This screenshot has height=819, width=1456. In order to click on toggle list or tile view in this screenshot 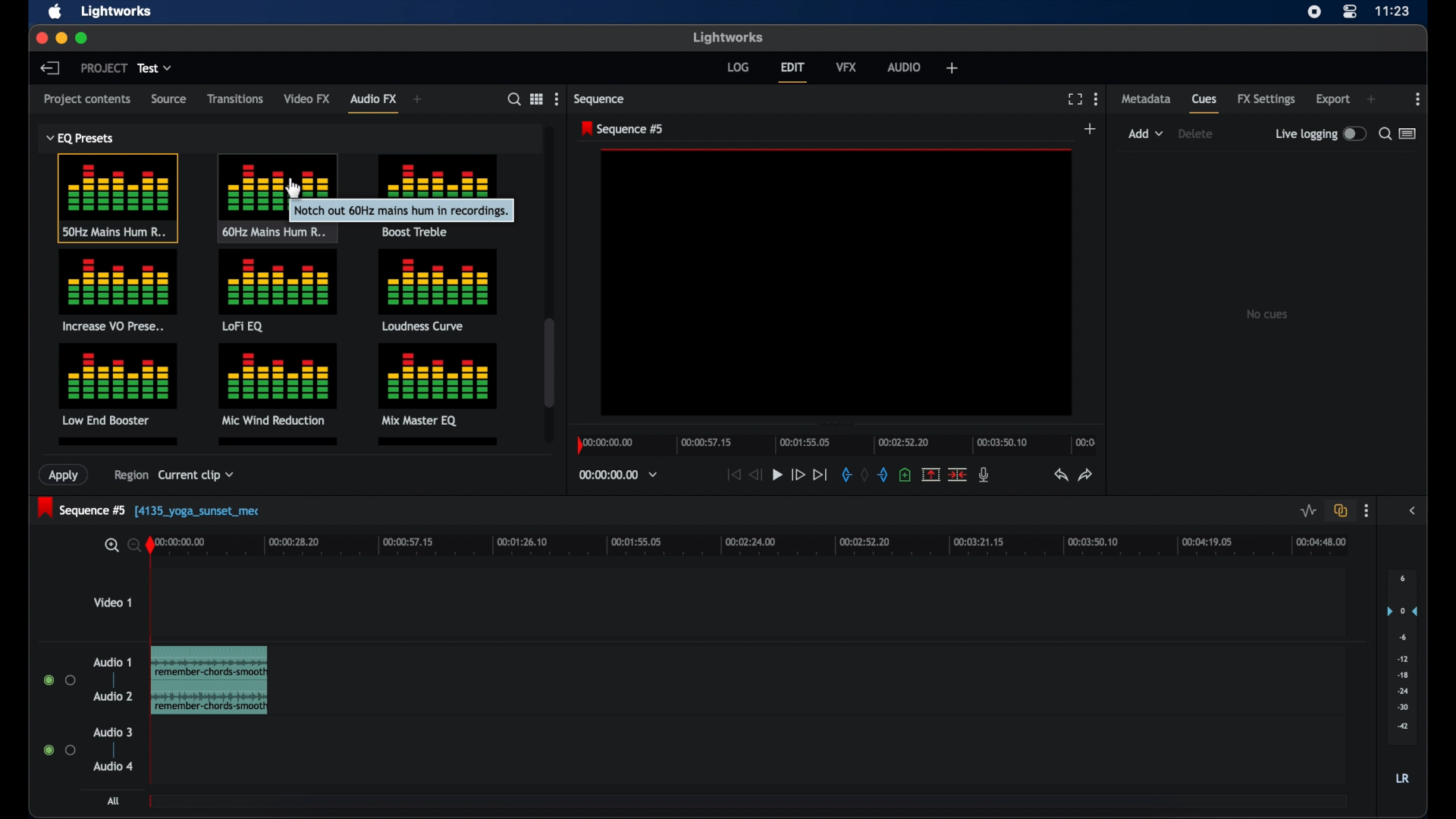, I will do `click(536, 98)`.